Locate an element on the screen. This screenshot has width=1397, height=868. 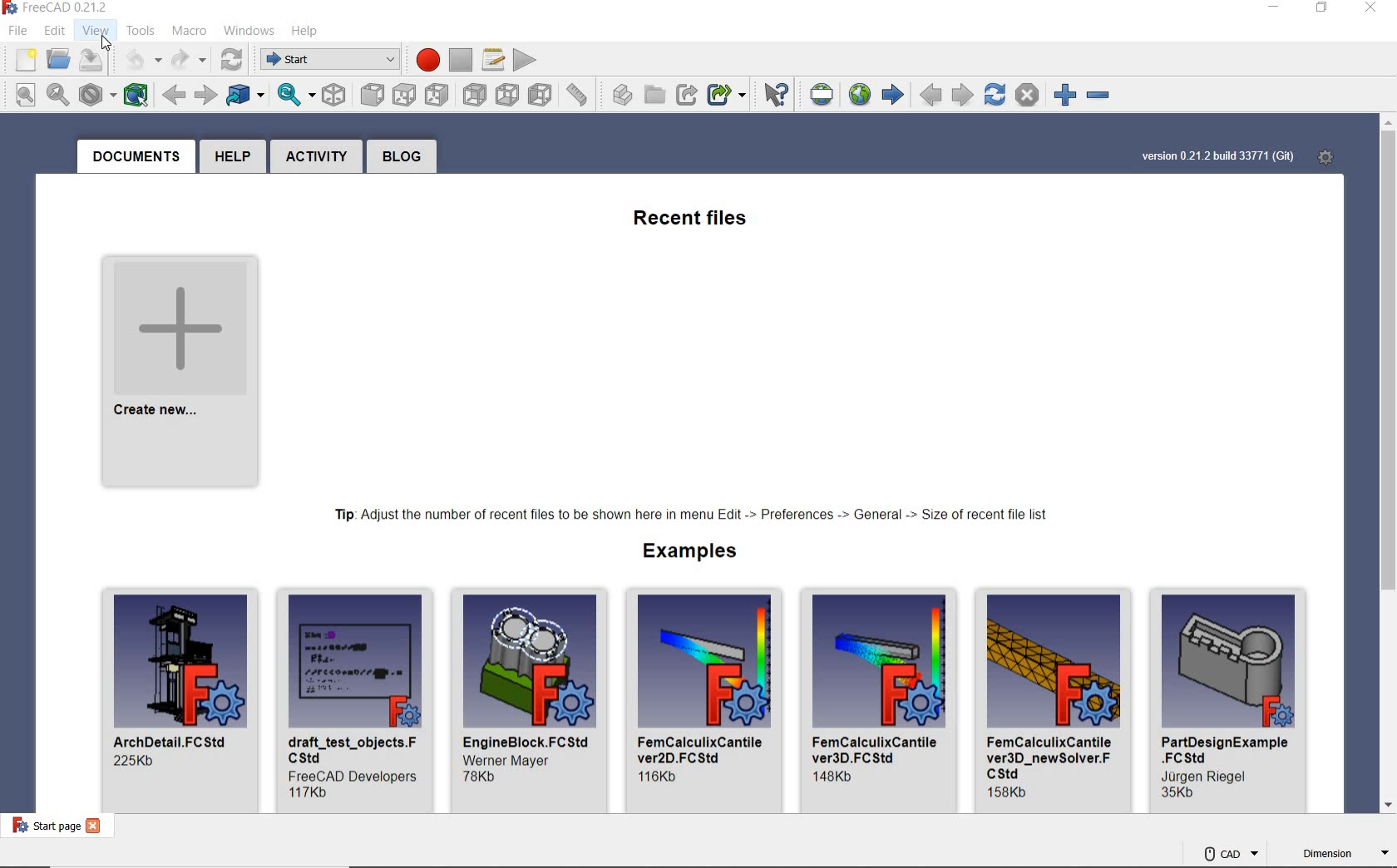
back is located at coordinates (175, 96).